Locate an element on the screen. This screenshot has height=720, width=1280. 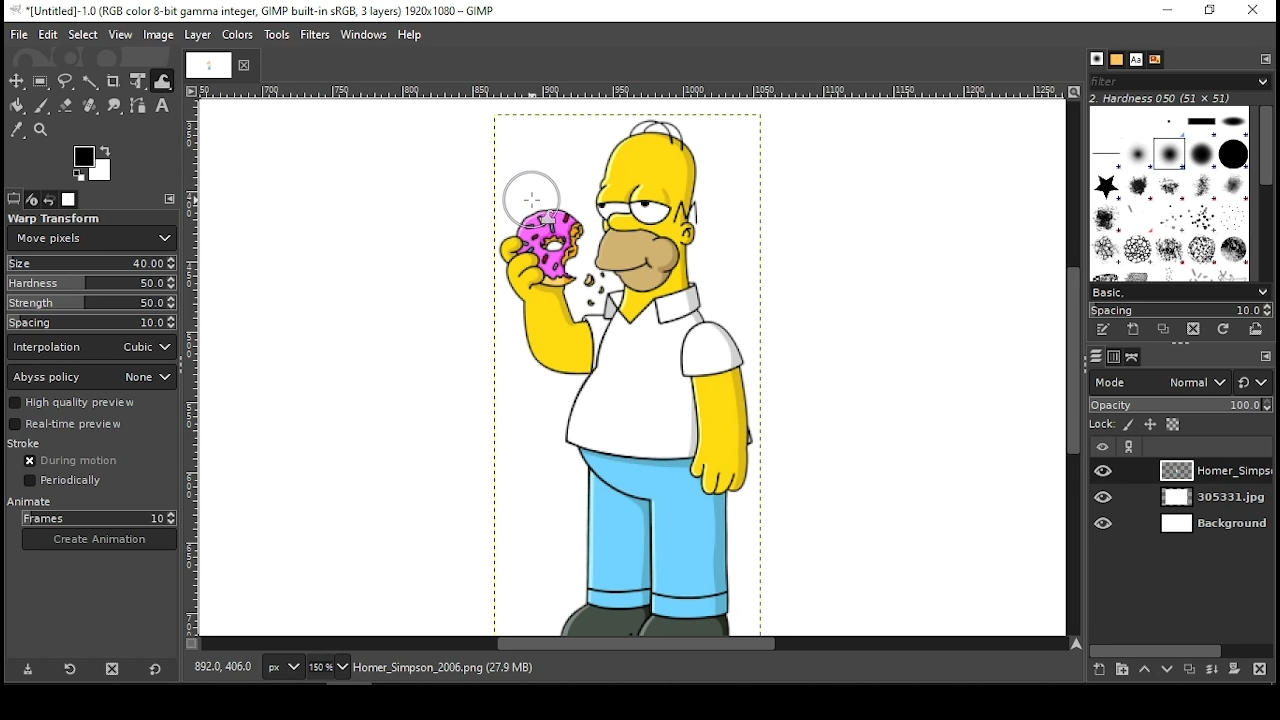
edit is located at coordinates (48, 35).